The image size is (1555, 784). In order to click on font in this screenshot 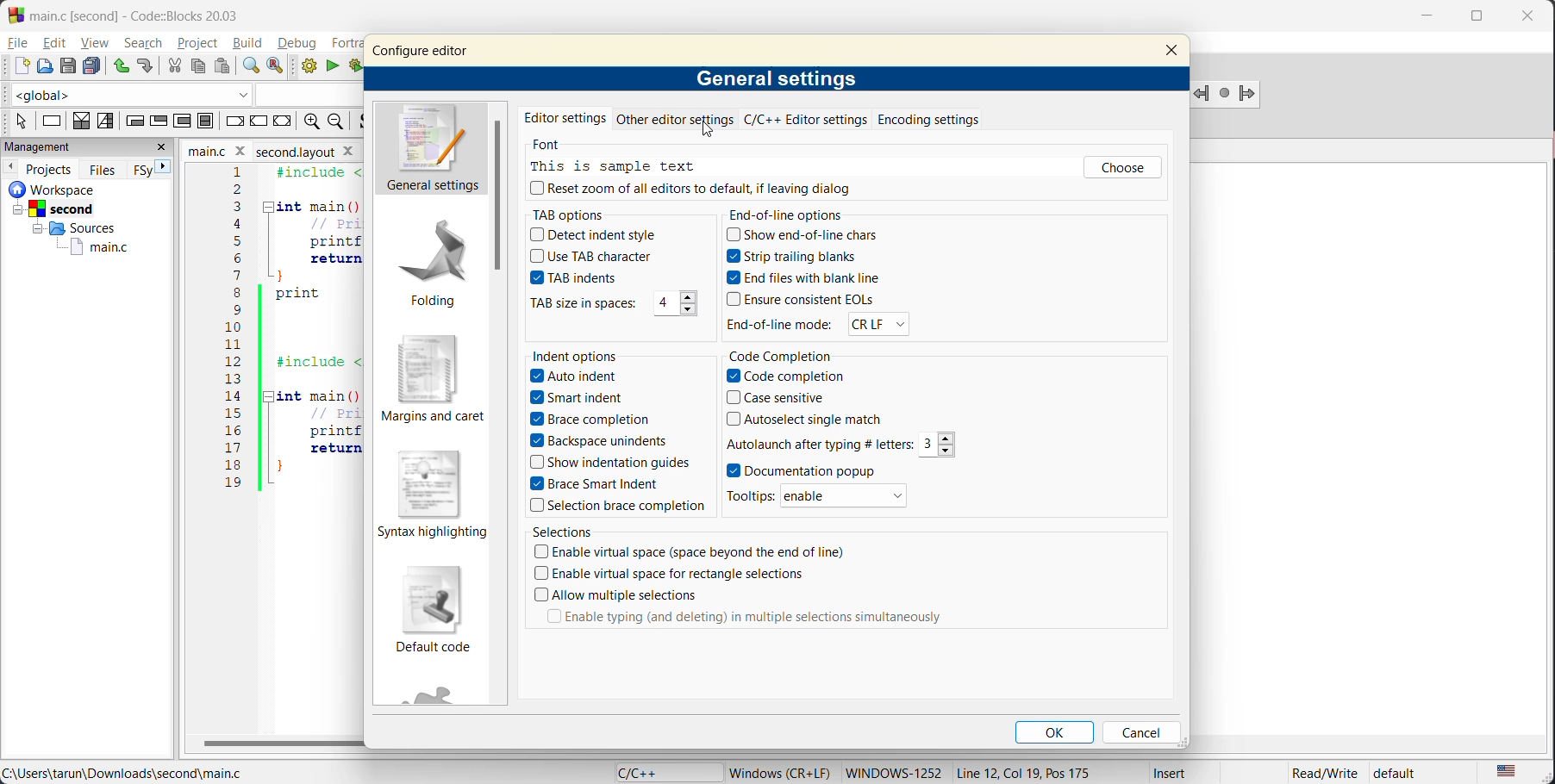, I will do `click(554, 146)`.